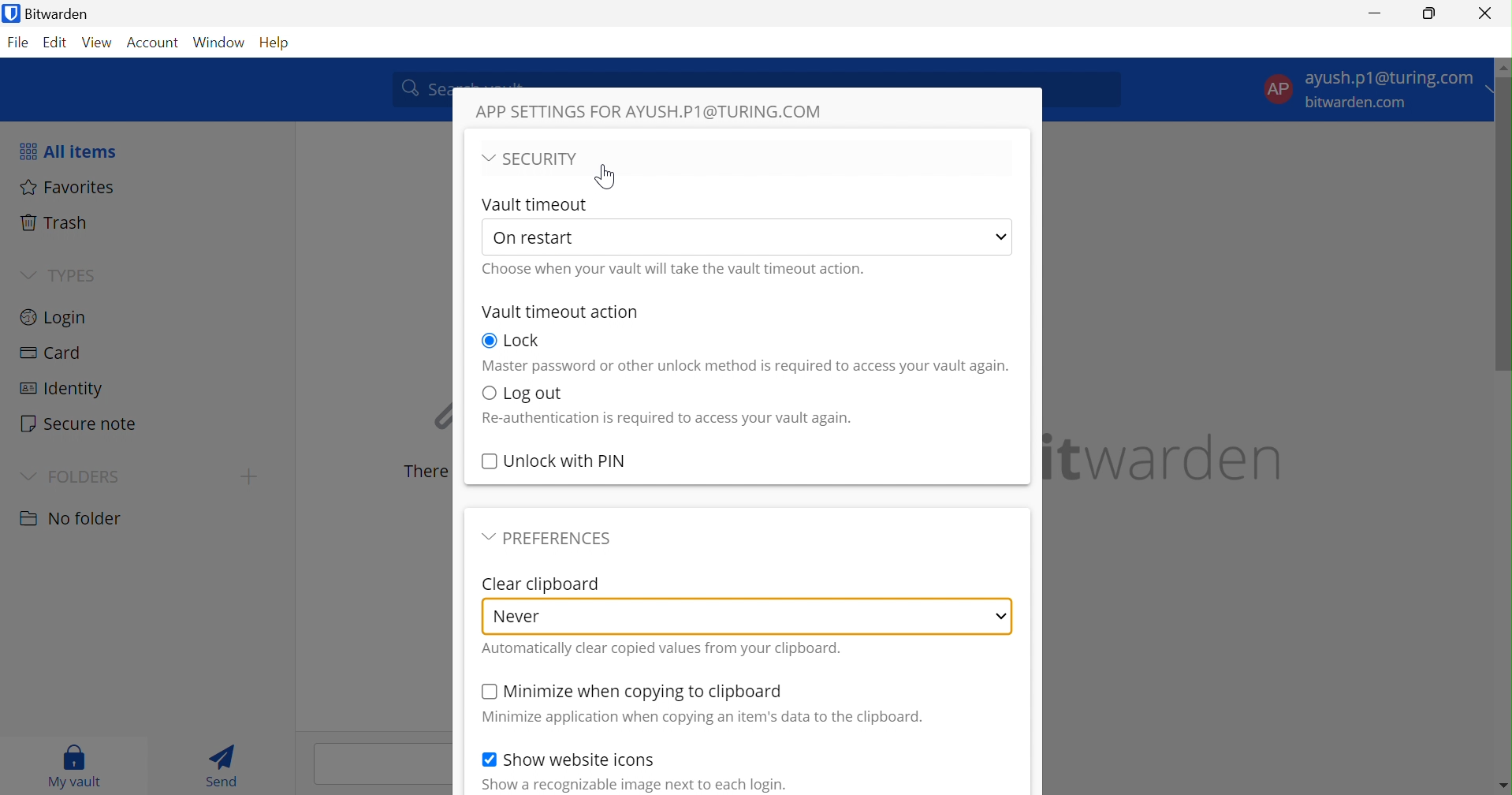  I want to click on SECURITY, so click(546, 159).